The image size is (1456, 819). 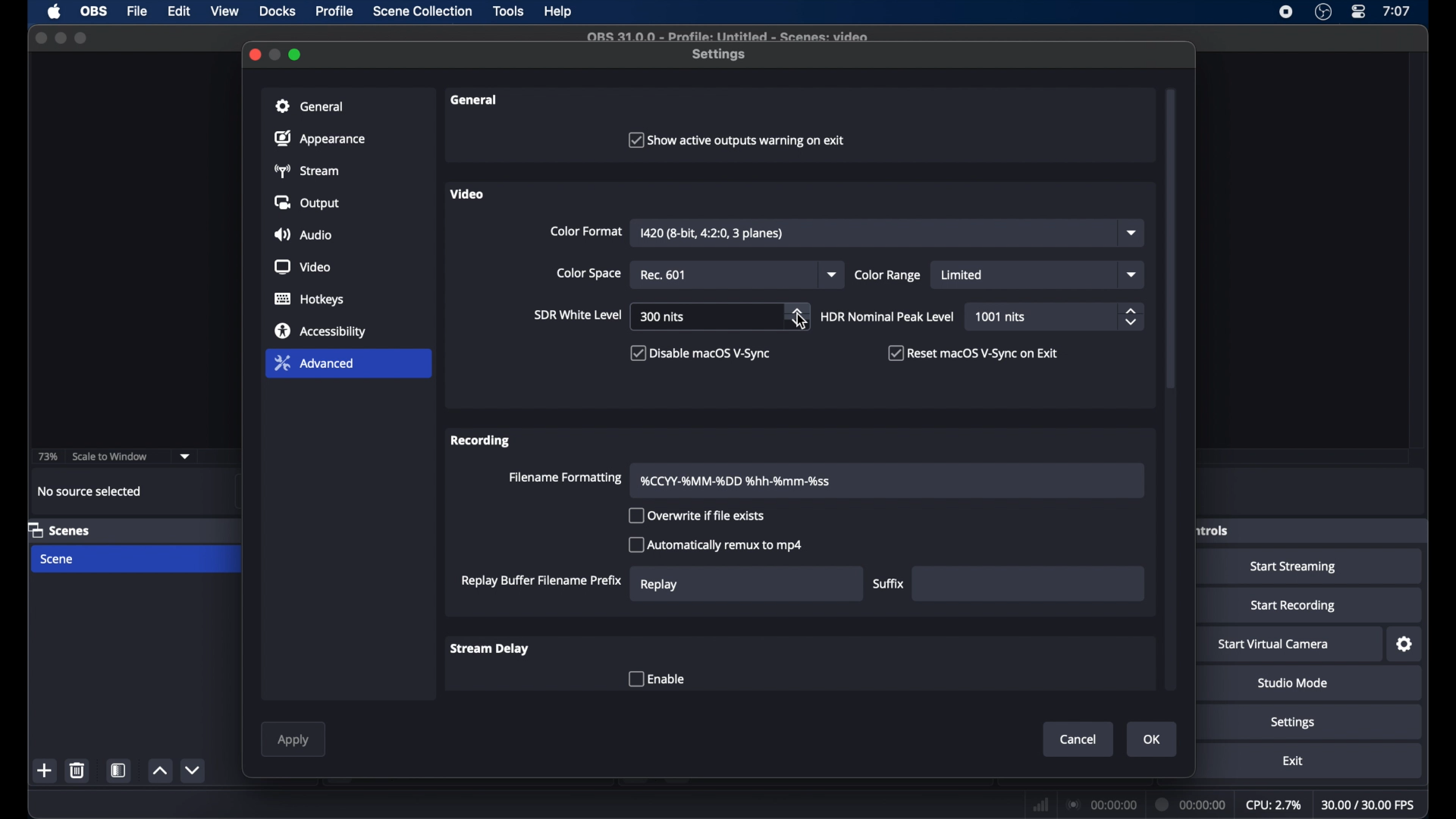 I want to click on scroll box, so click(x=1172, y=239).